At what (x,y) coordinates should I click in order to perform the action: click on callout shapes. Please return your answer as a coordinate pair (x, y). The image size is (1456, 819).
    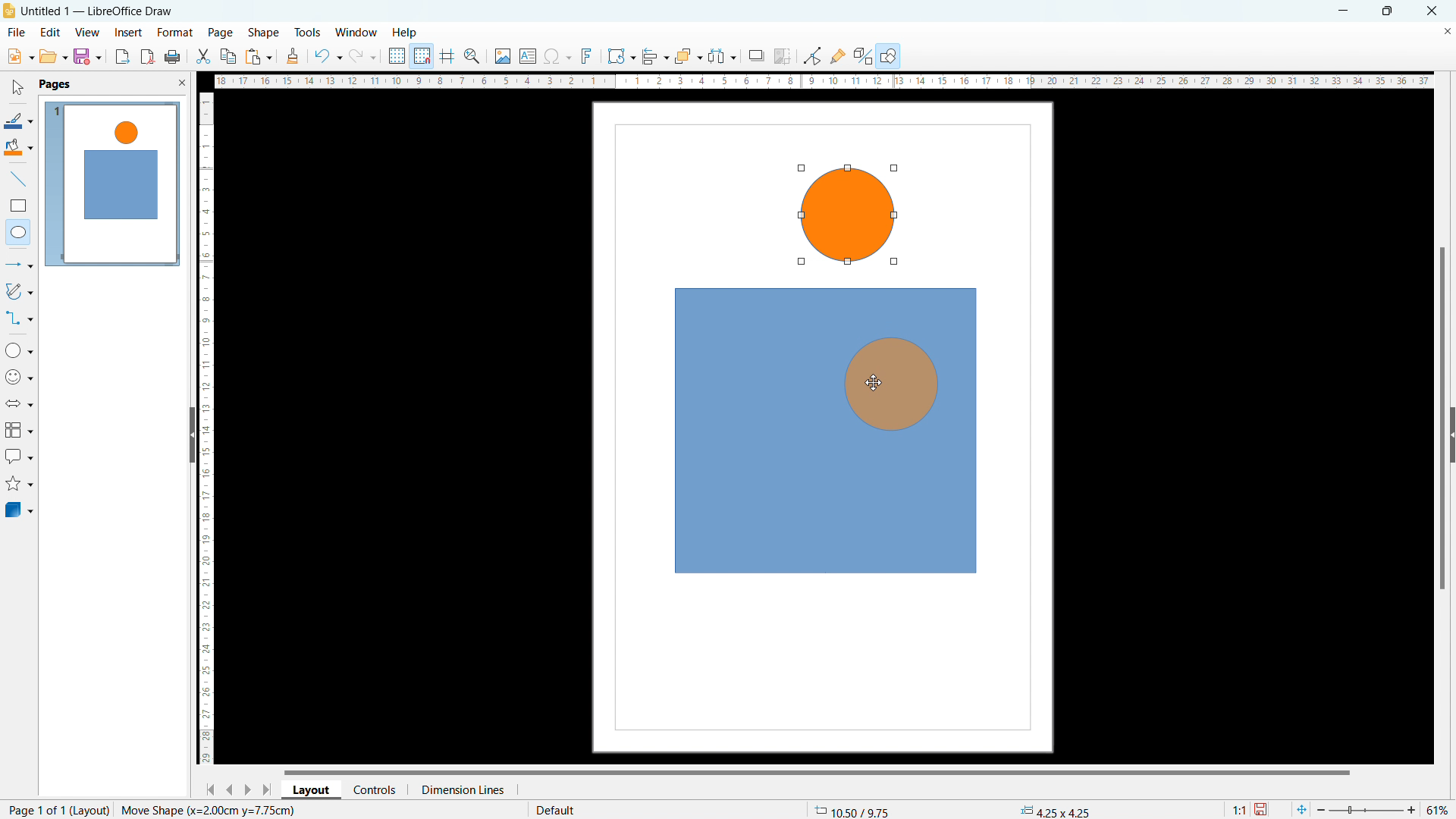
    Looking at the image, I should click on (20, 457).